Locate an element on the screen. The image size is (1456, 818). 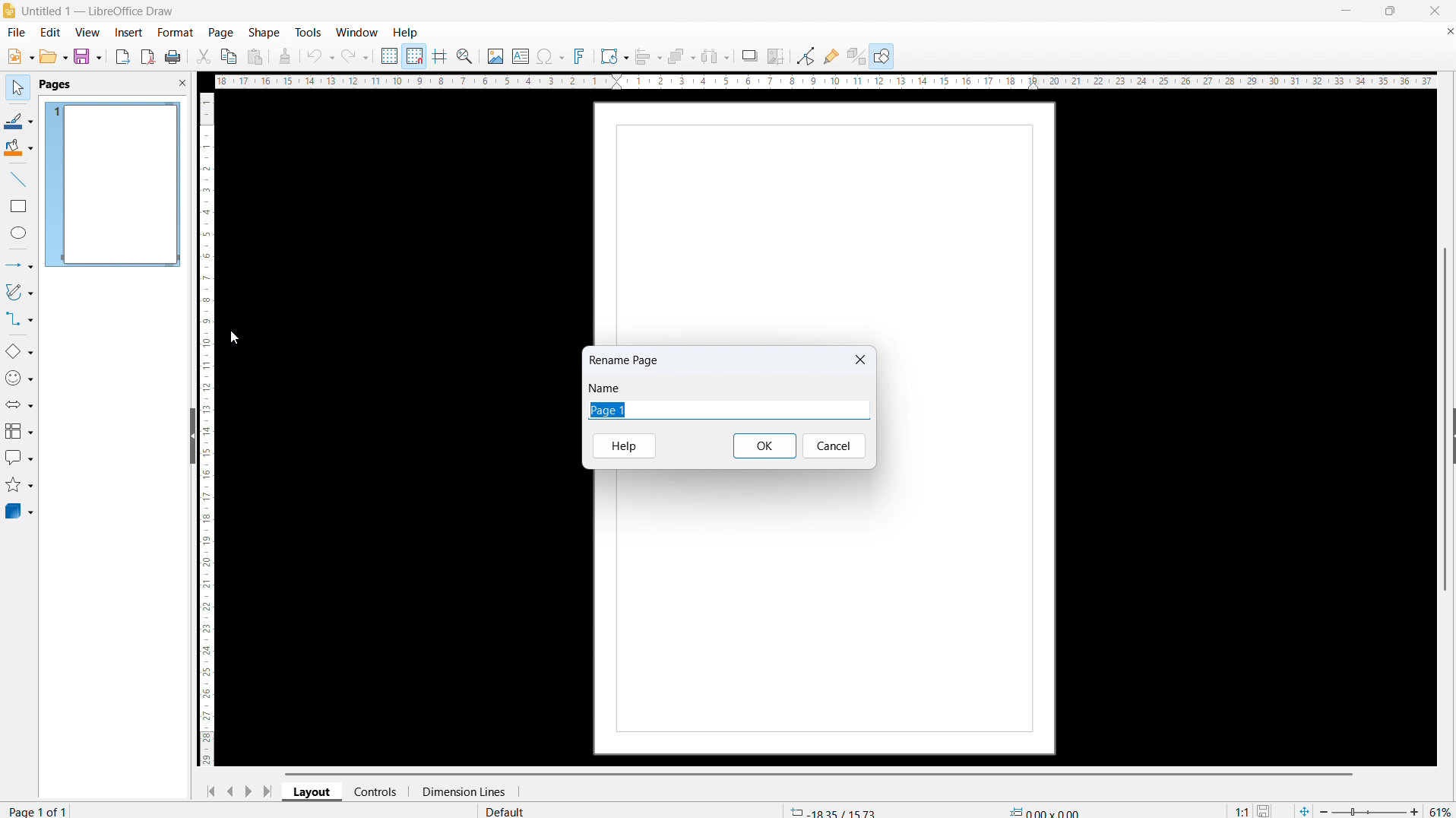
clone formatting is located at coordinates (286, 55).